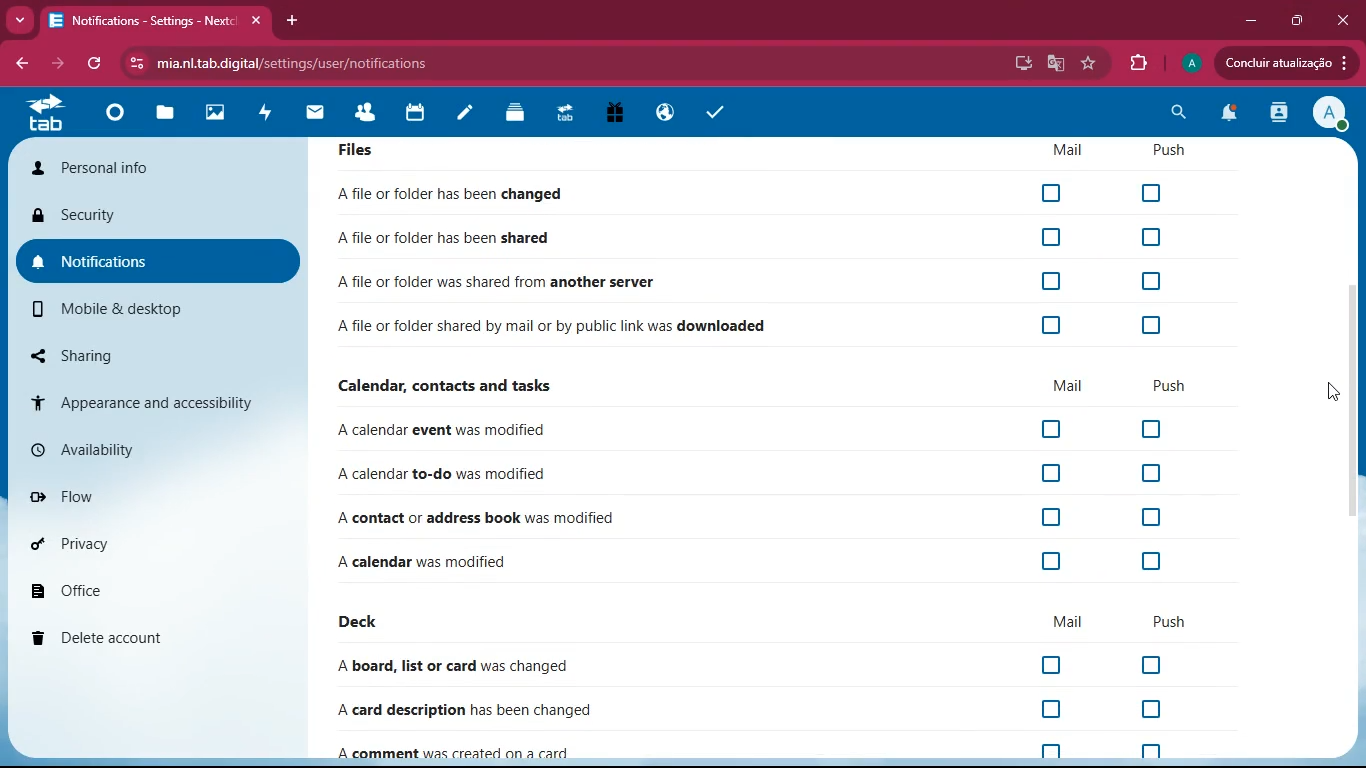 This screenshot has width=1366, height=768. Describe the element at coordinates (1252, 20) in the screenshot. I see `minimize` at that location.